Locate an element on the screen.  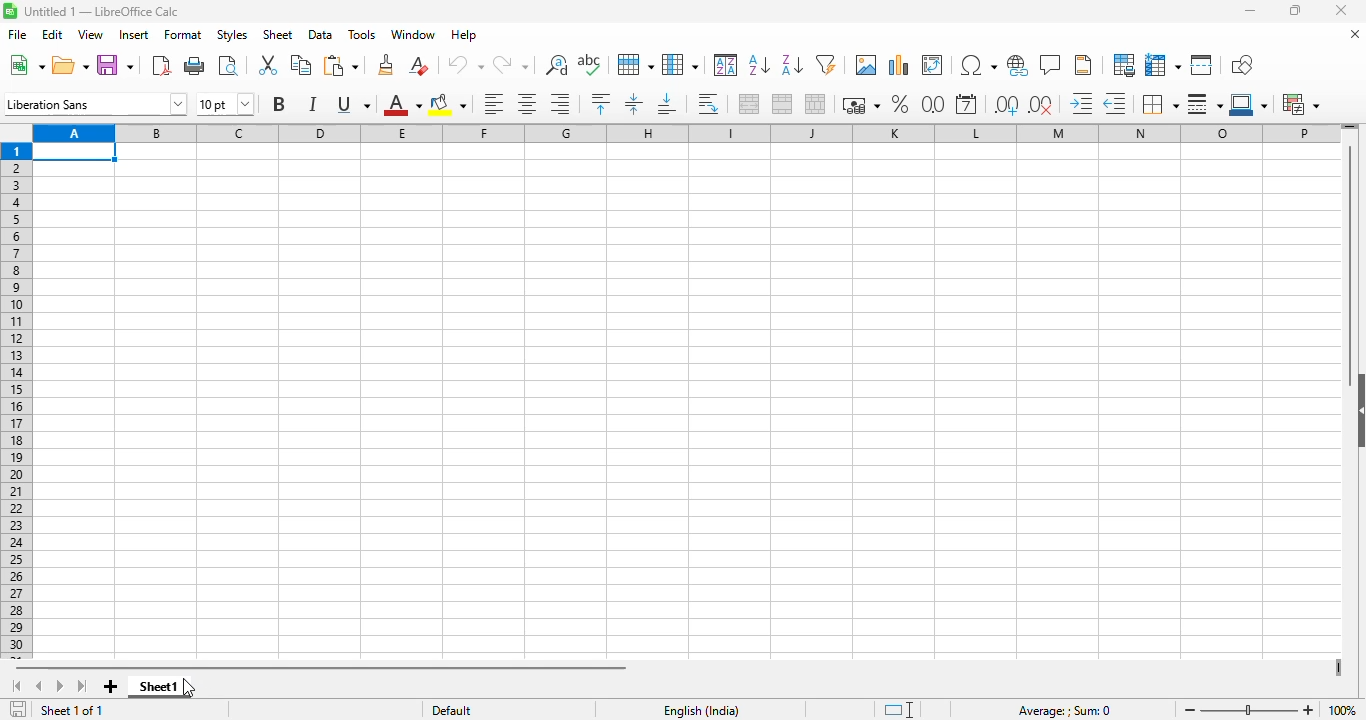
window is located at coordinates (412, 35).